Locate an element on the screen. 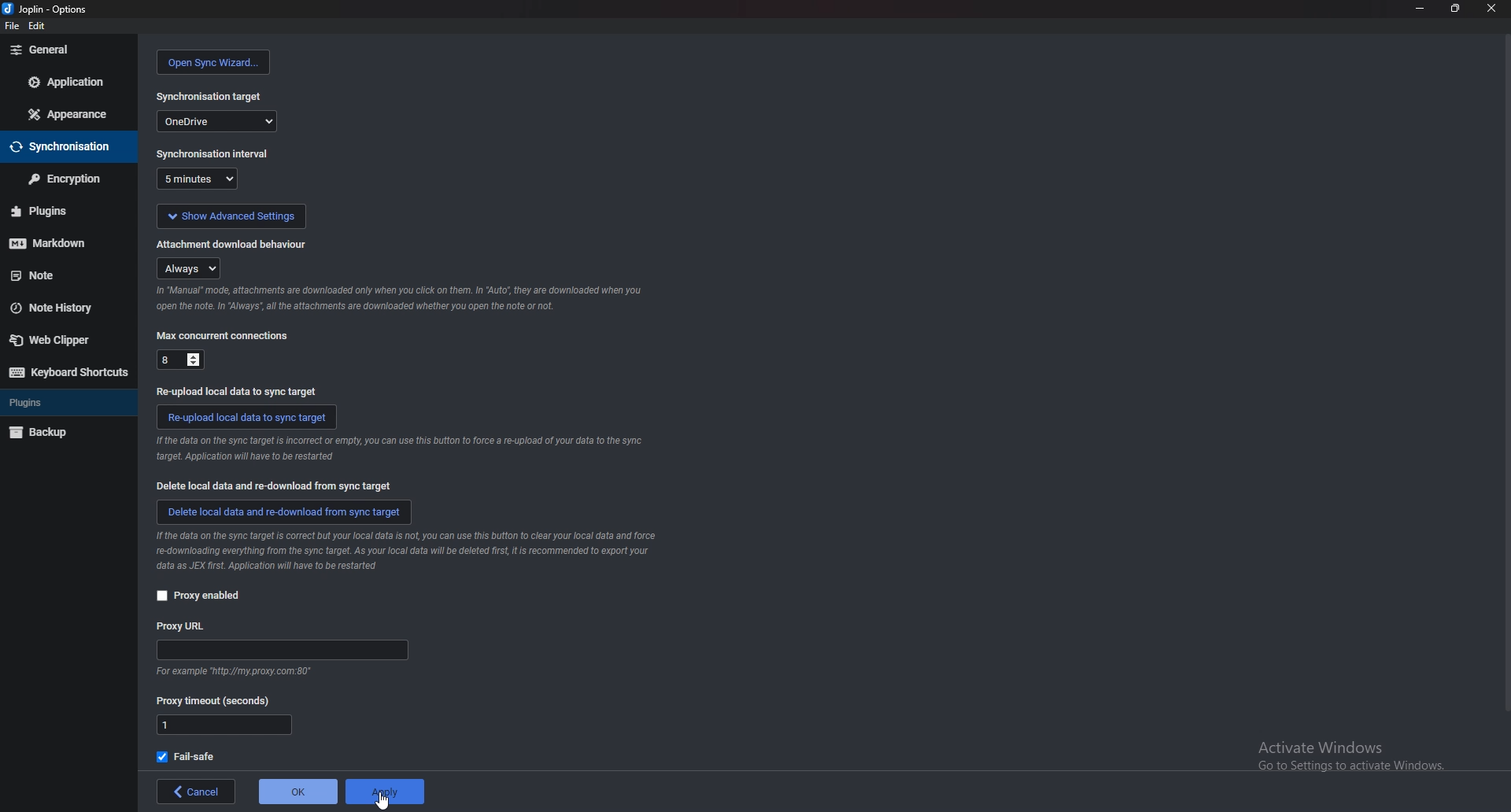 The width and height of the screenshot is (1511, 812). delete local data and redownload is located at coordinates (283, 514).